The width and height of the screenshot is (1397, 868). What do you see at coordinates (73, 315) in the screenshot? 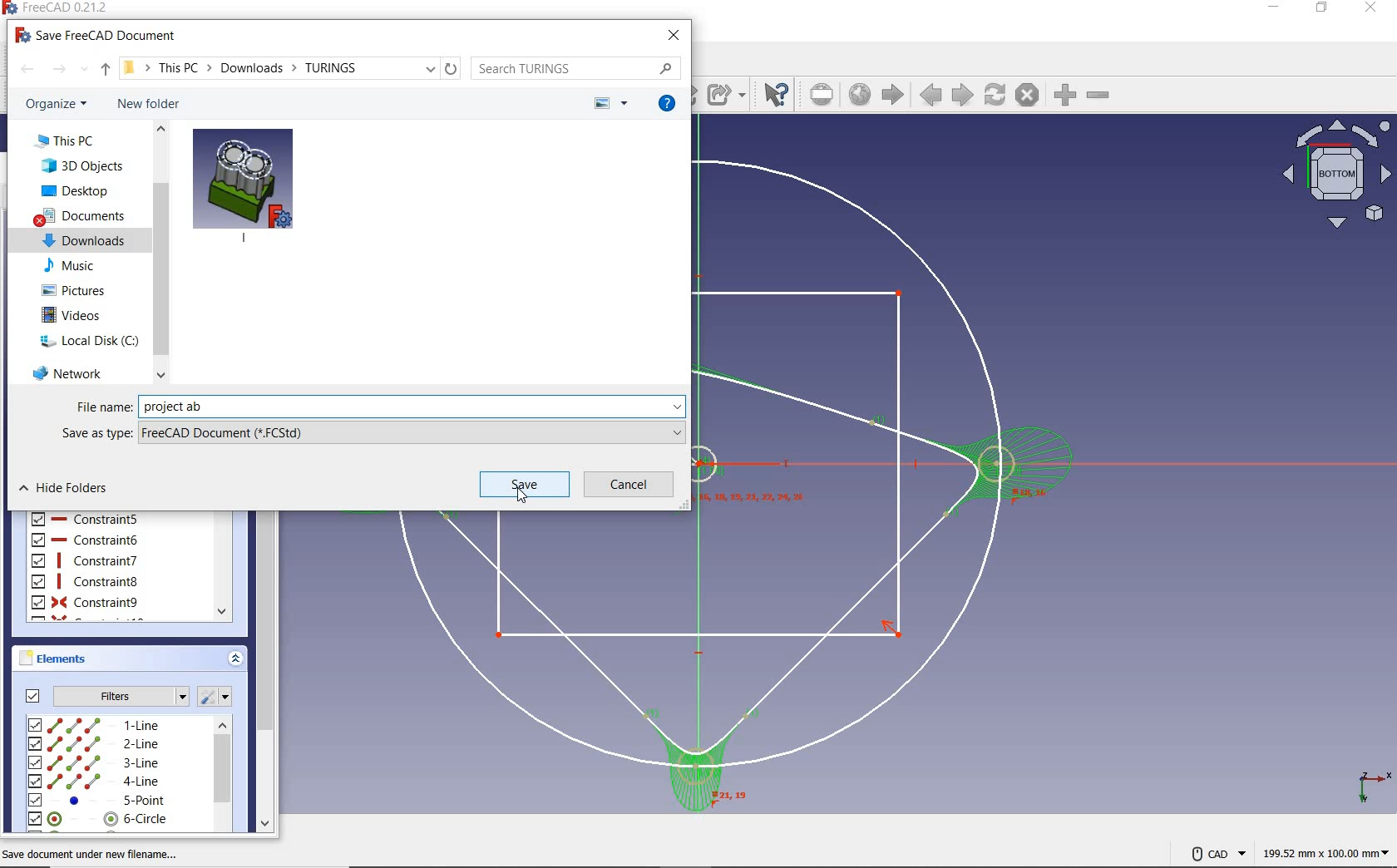
I see `videos` at bounding box center [73, 315].